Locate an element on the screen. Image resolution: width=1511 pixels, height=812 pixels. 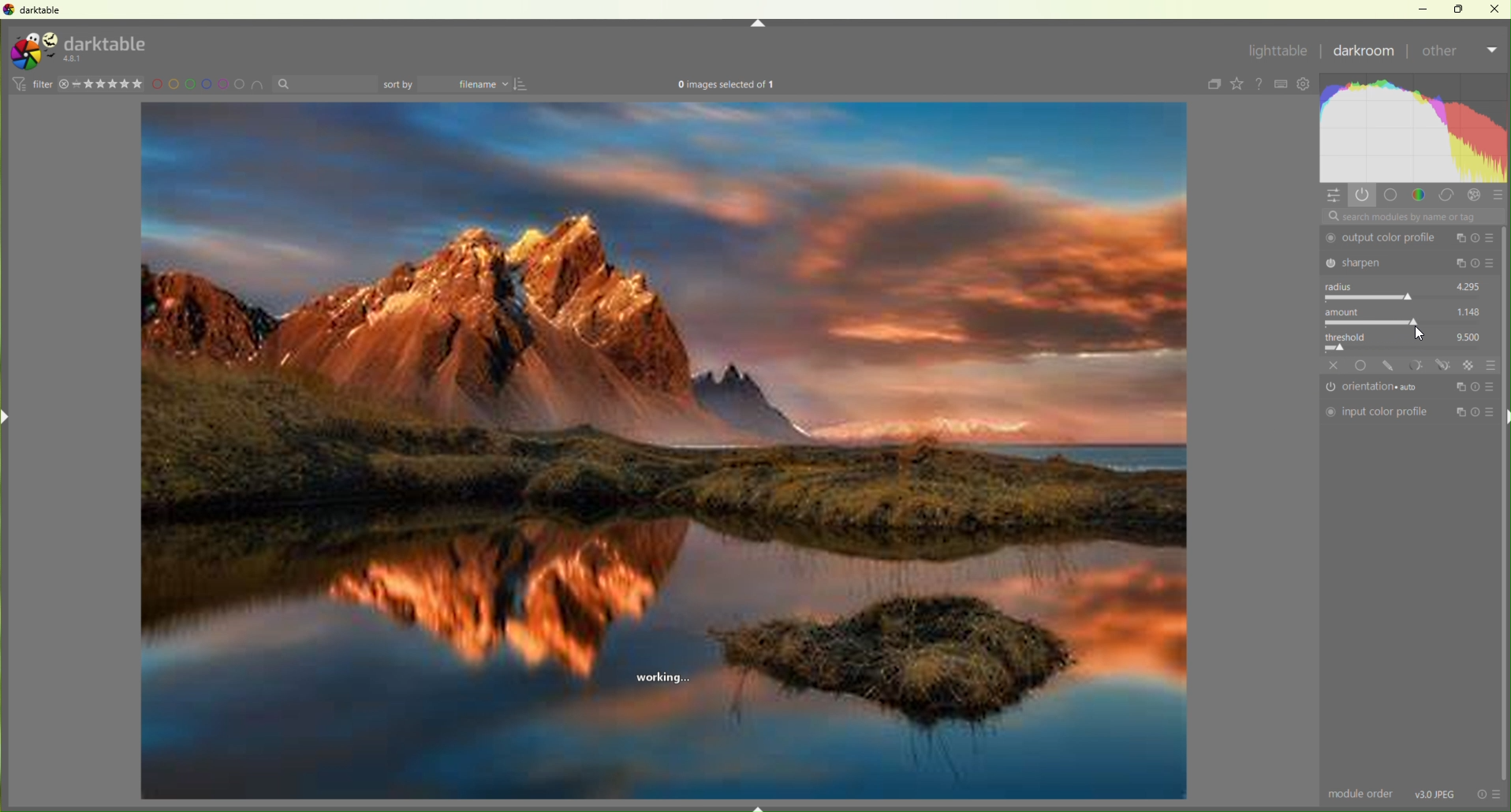
Input color profile is located at coordinates (1377, 412).